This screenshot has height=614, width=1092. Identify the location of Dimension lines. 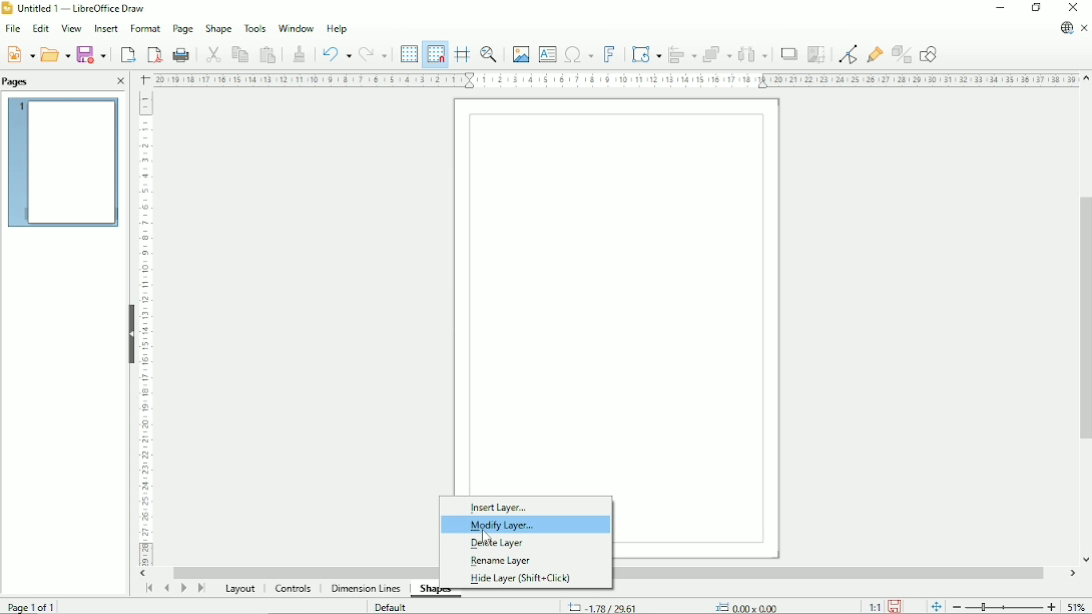
(367, 589).